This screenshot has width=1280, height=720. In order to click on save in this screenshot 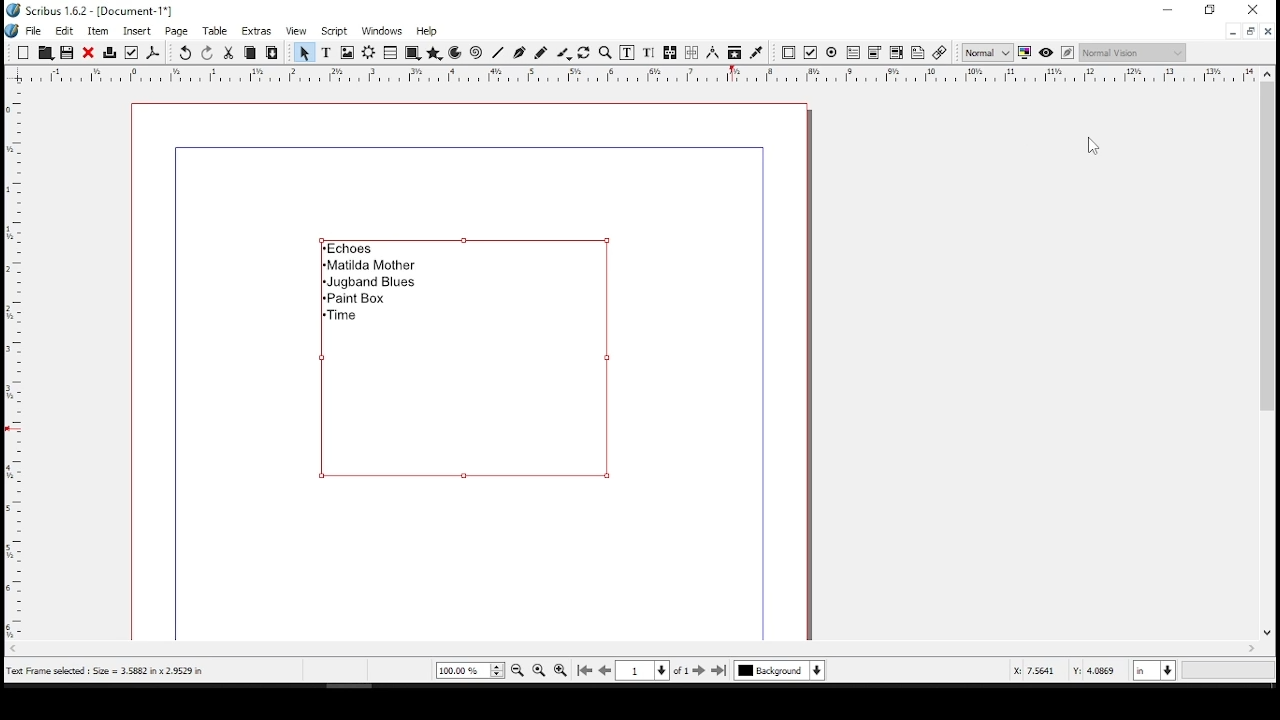, I will do `click(66, 52)`.